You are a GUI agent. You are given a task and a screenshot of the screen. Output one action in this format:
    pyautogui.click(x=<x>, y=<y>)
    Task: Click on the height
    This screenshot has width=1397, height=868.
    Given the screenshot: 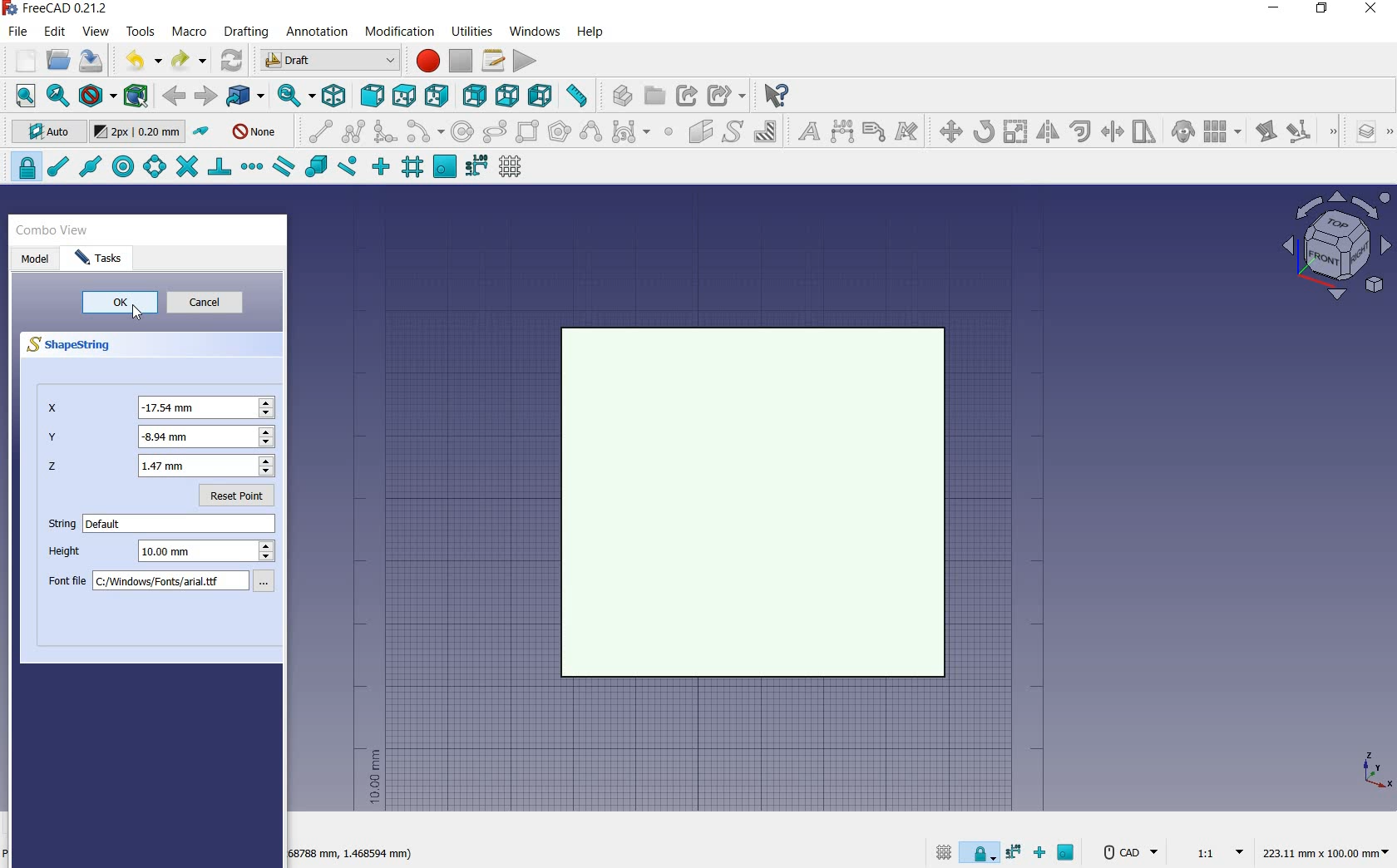 What is the action you would take?
    pyautogui.click(x=165, y=554)
    